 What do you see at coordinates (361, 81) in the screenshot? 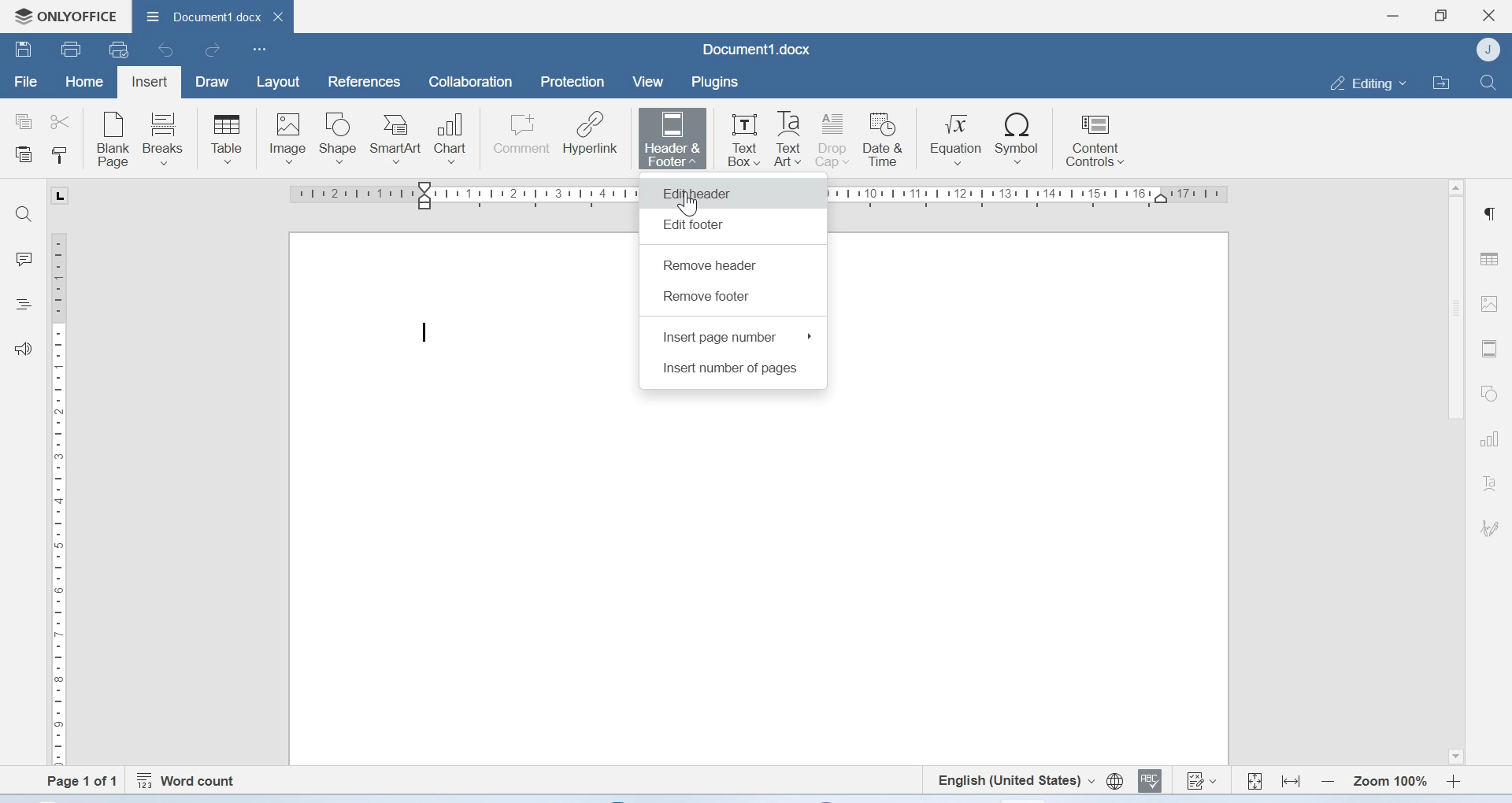
I see `References` at bounding box center [361, 81].